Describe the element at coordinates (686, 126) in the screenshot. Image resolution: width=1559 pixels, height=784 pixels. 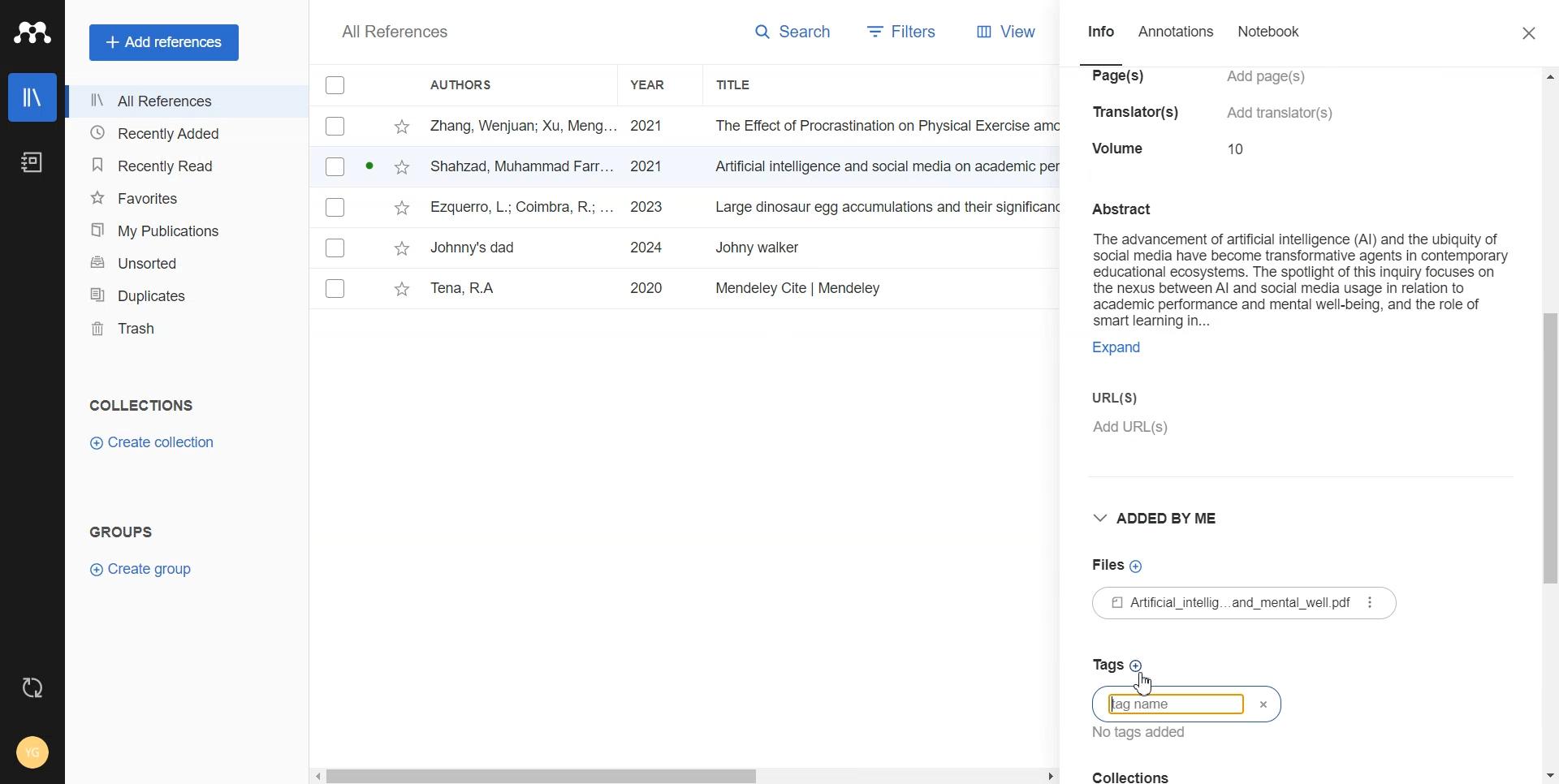
I see `File` at that location.